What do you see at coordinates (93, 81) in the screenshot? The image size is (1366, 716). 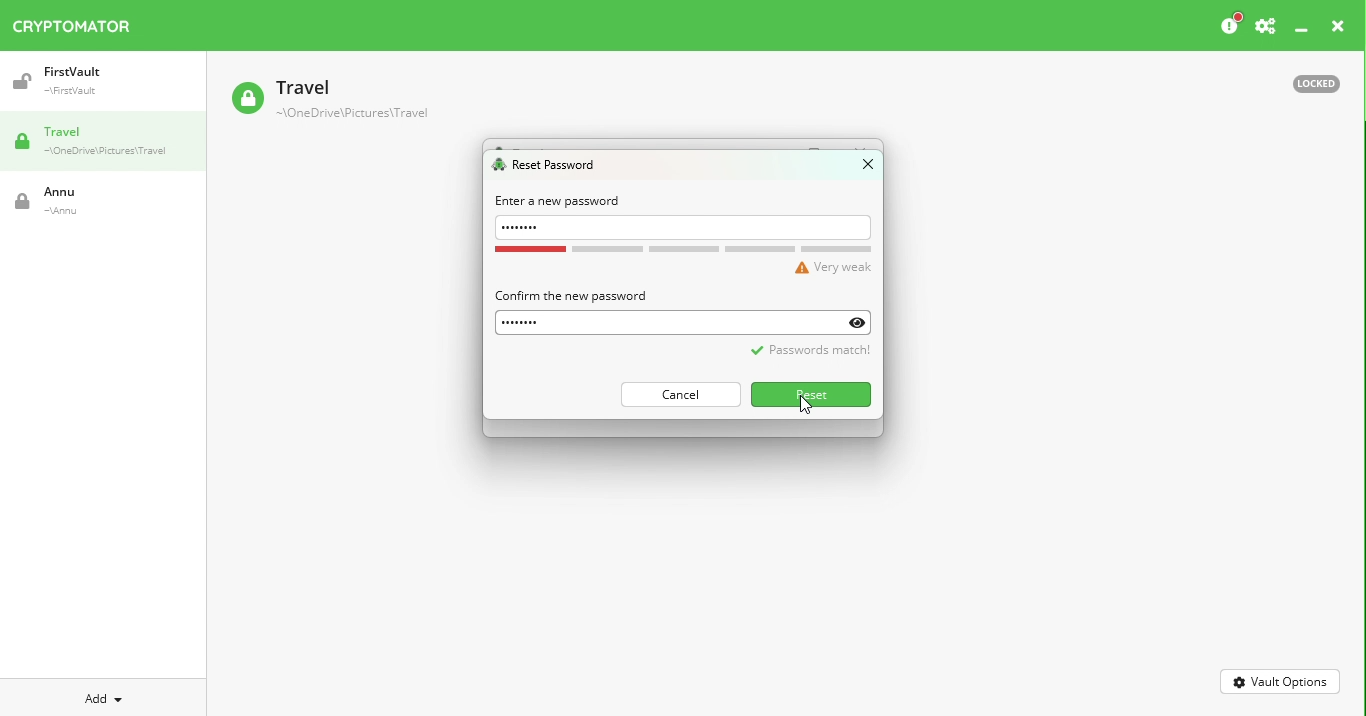 I see `Vault` at bounding box center [93, 81].